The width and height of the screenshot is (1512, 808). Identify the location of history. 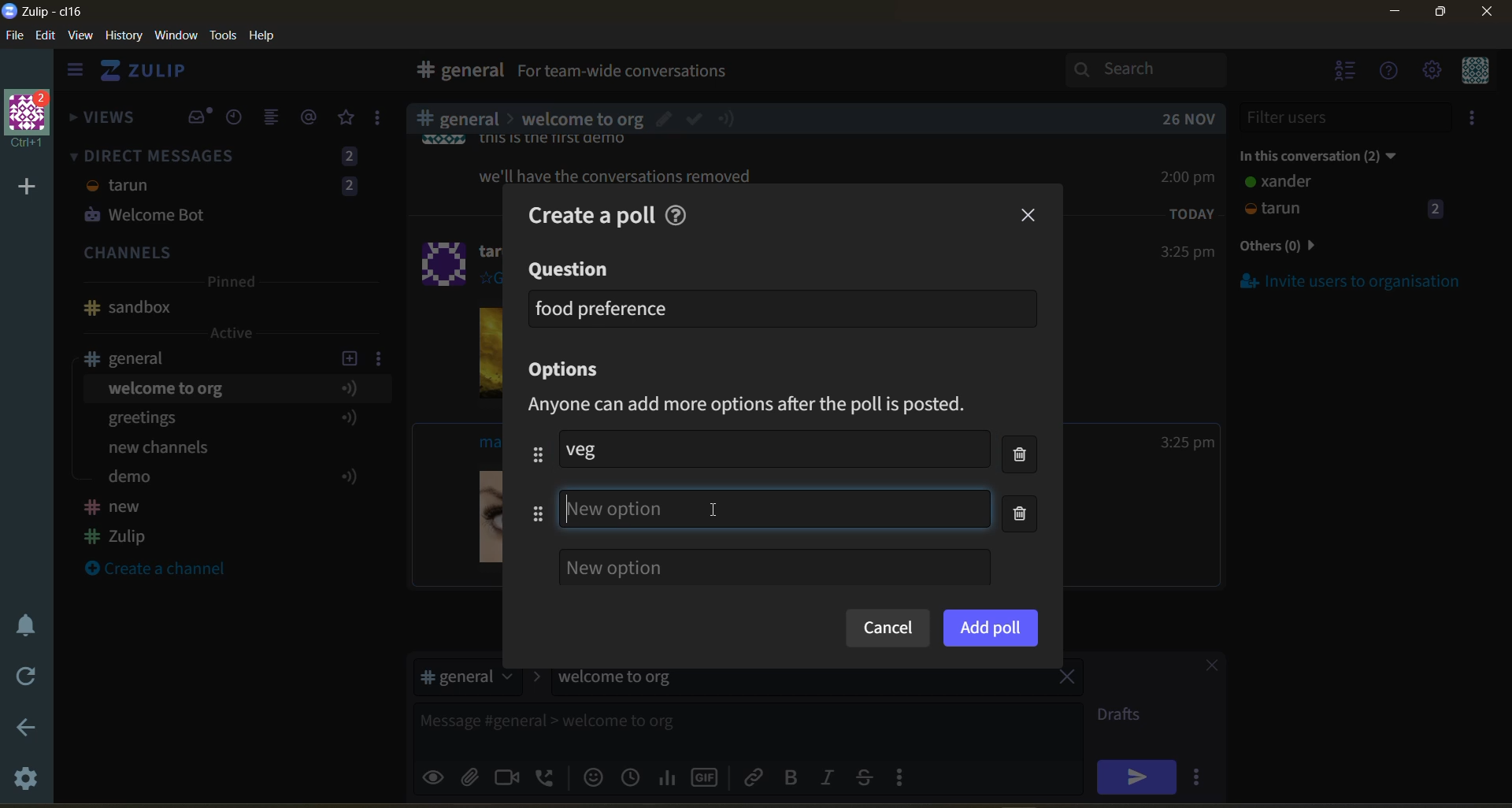
(124, 39).